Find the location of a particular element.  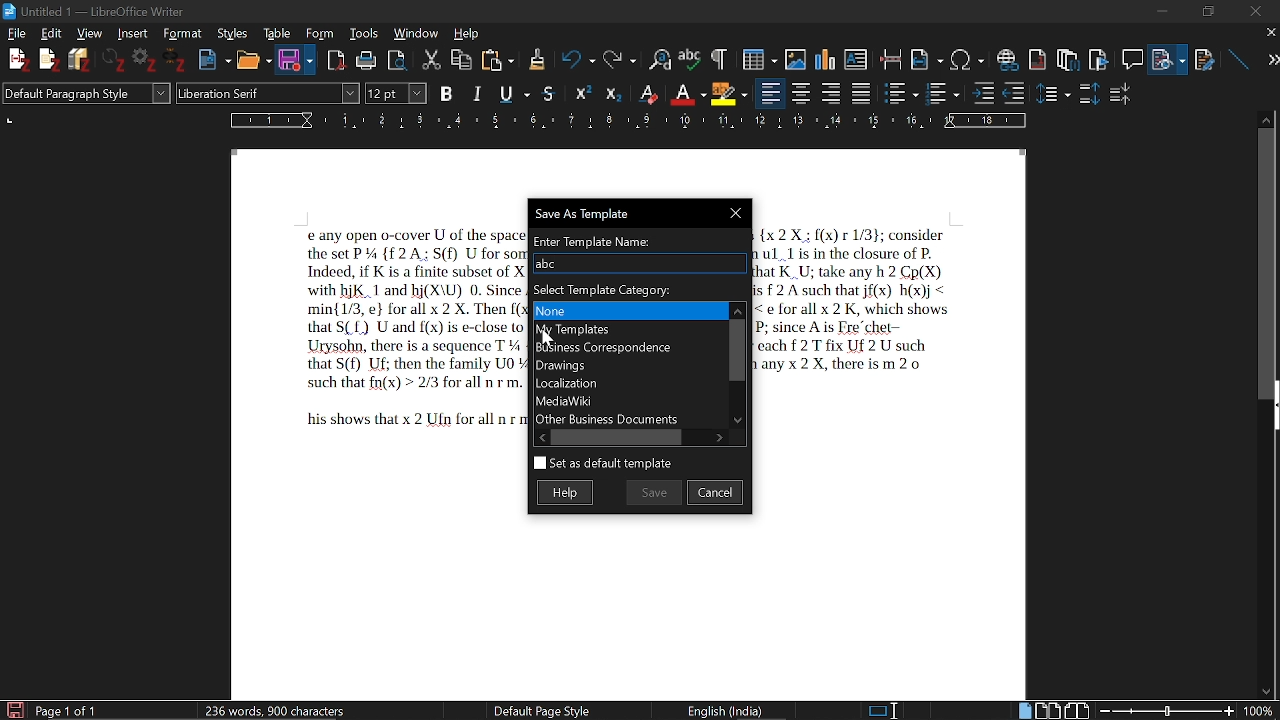

Format is located at coordinates (180, 33).